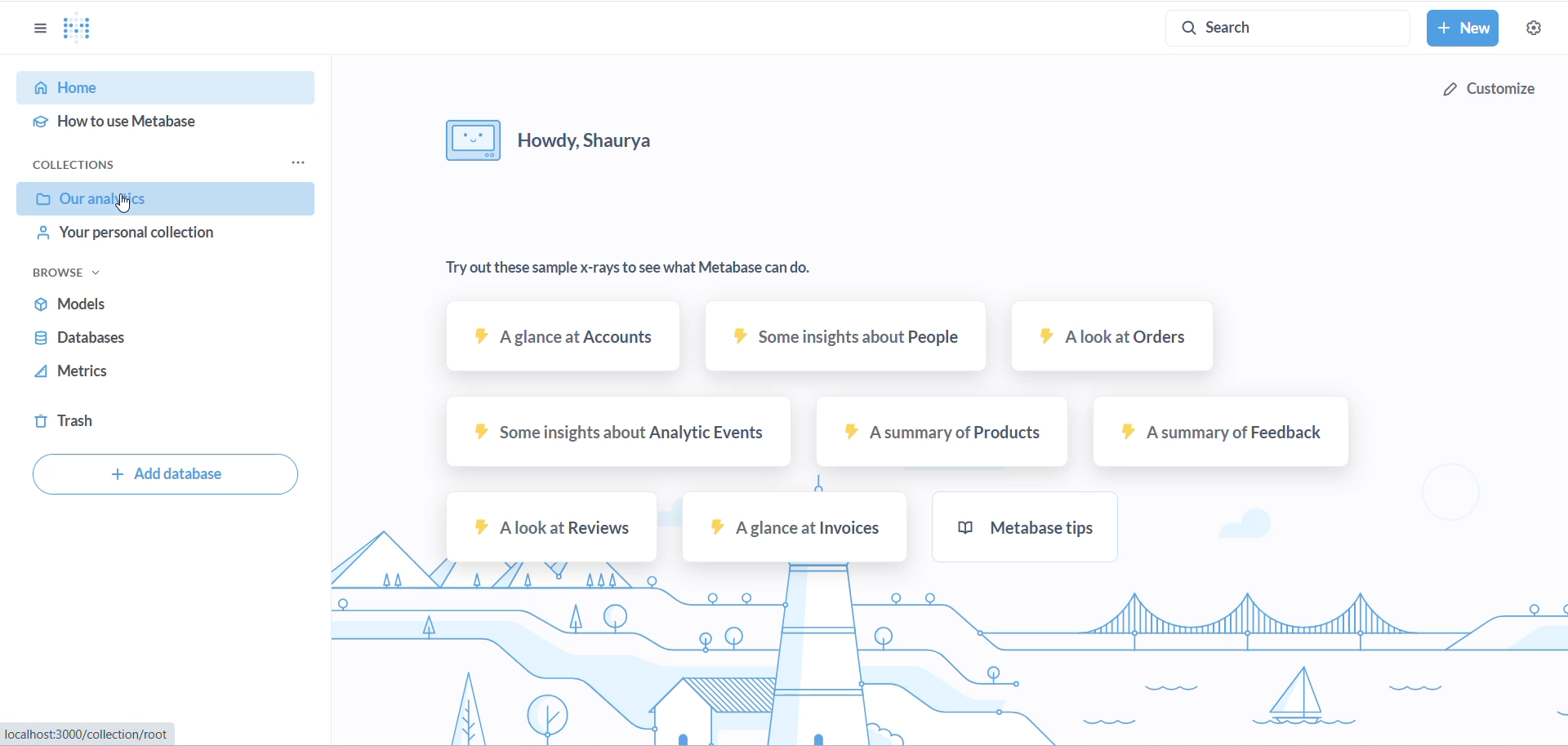 The image size is (1568, 746). Describe the element at coordinates (1025, 531) in the screenshot. I see `metabase tips` at that location.